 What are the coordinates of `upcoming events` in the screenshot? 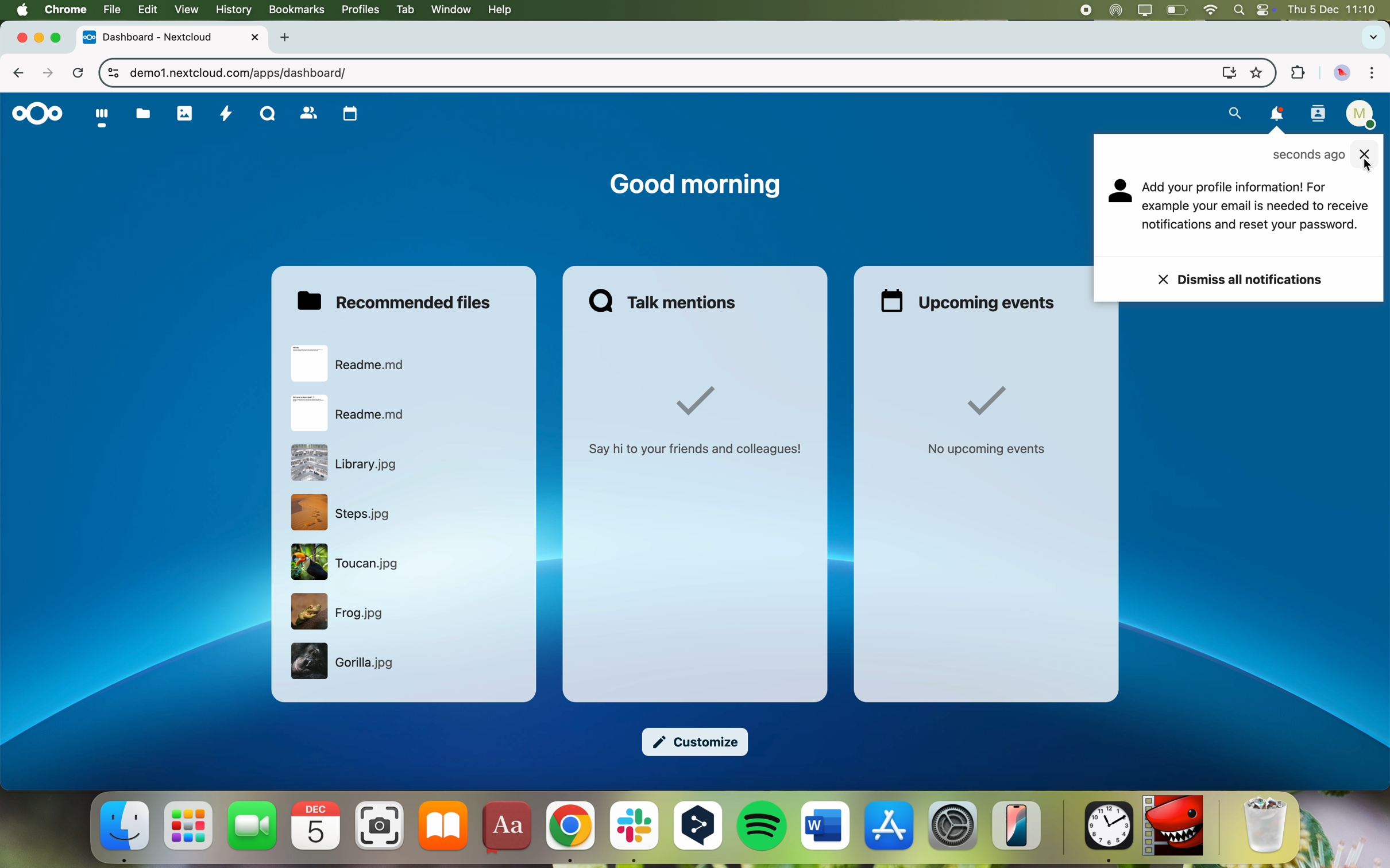 It's located at (970, 301).